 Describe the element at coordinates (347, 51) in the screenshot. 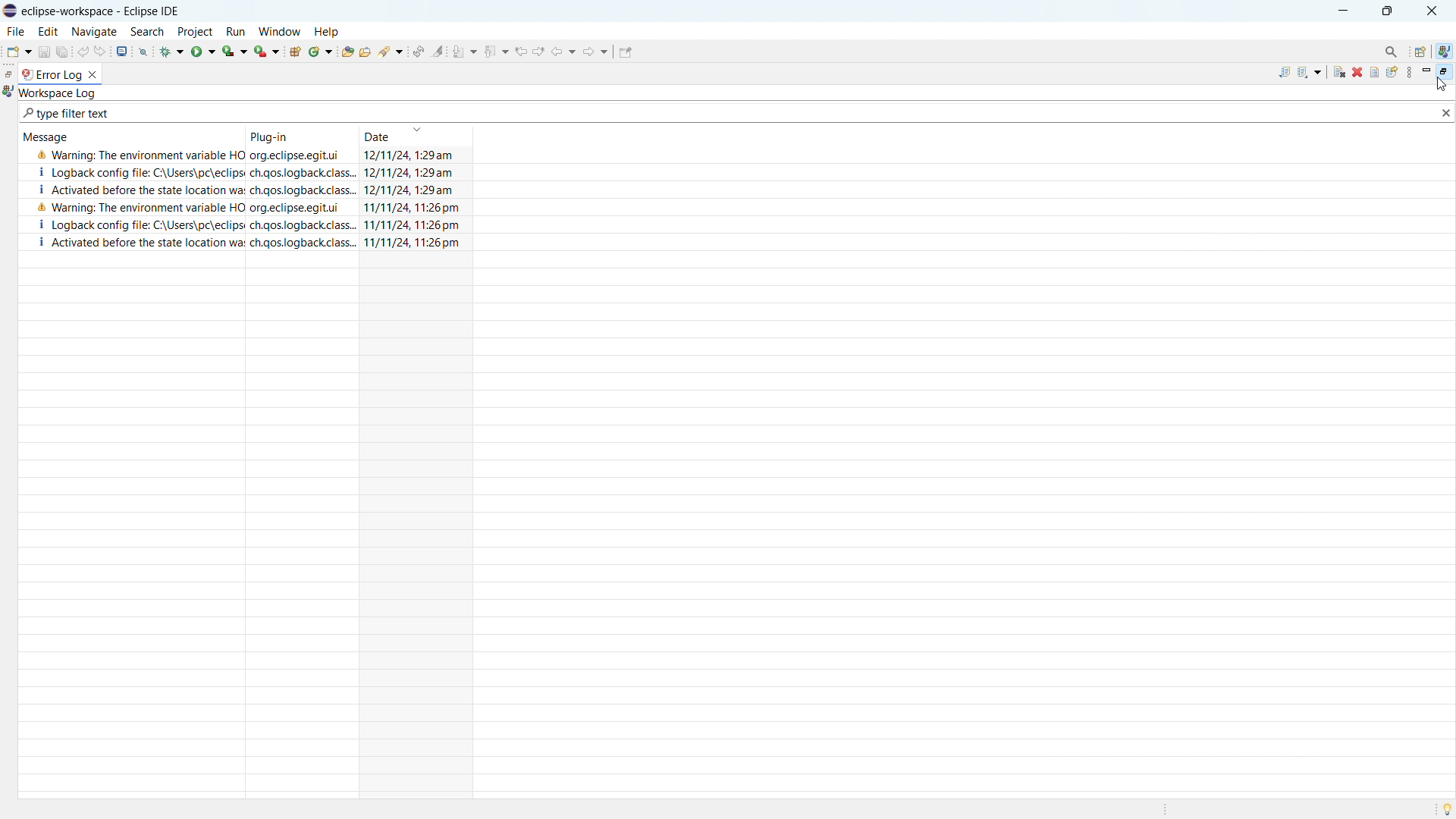

I see `open type` at that location.